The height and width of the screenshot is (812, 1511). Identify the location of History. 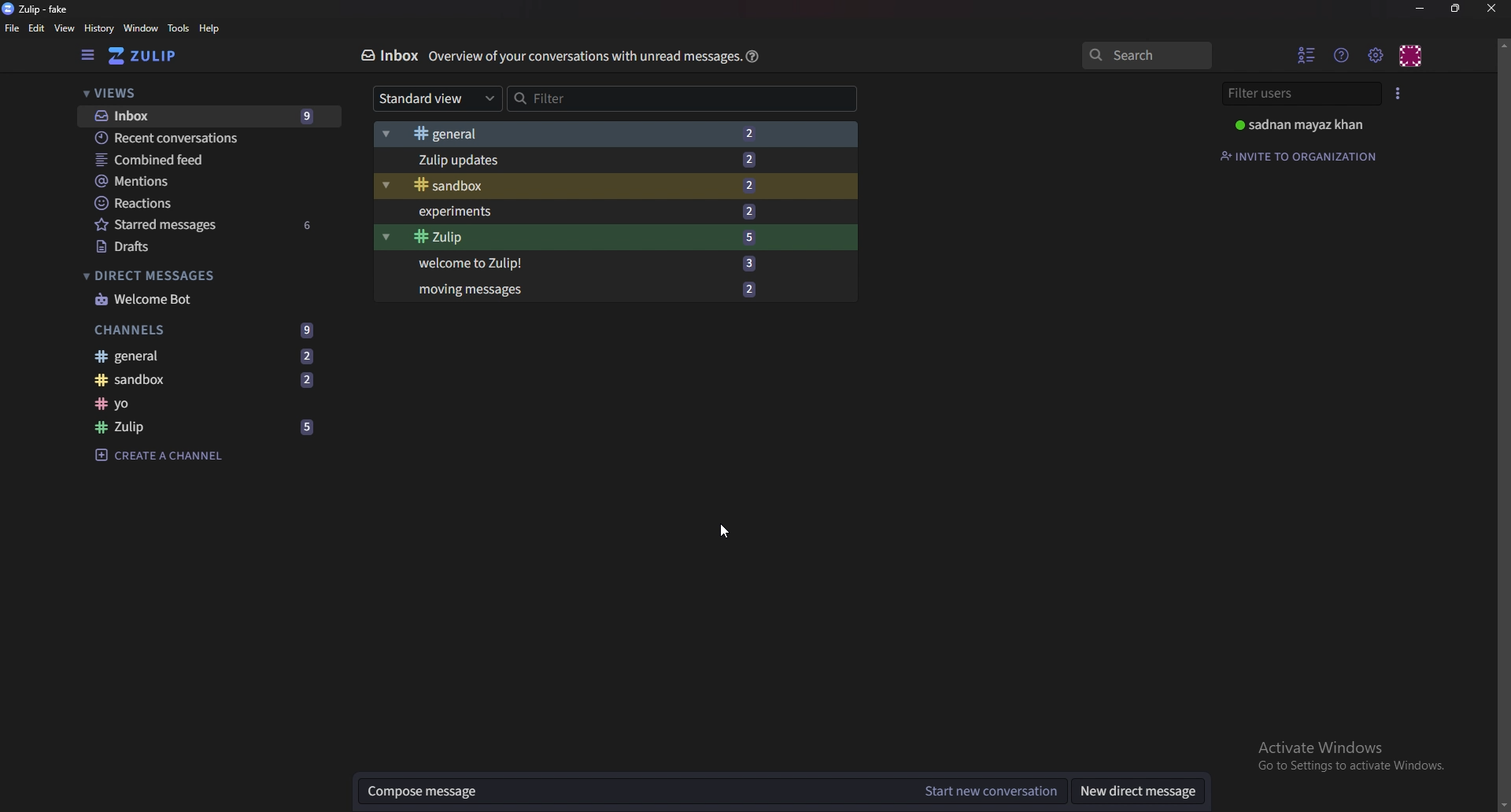
(100, 28).